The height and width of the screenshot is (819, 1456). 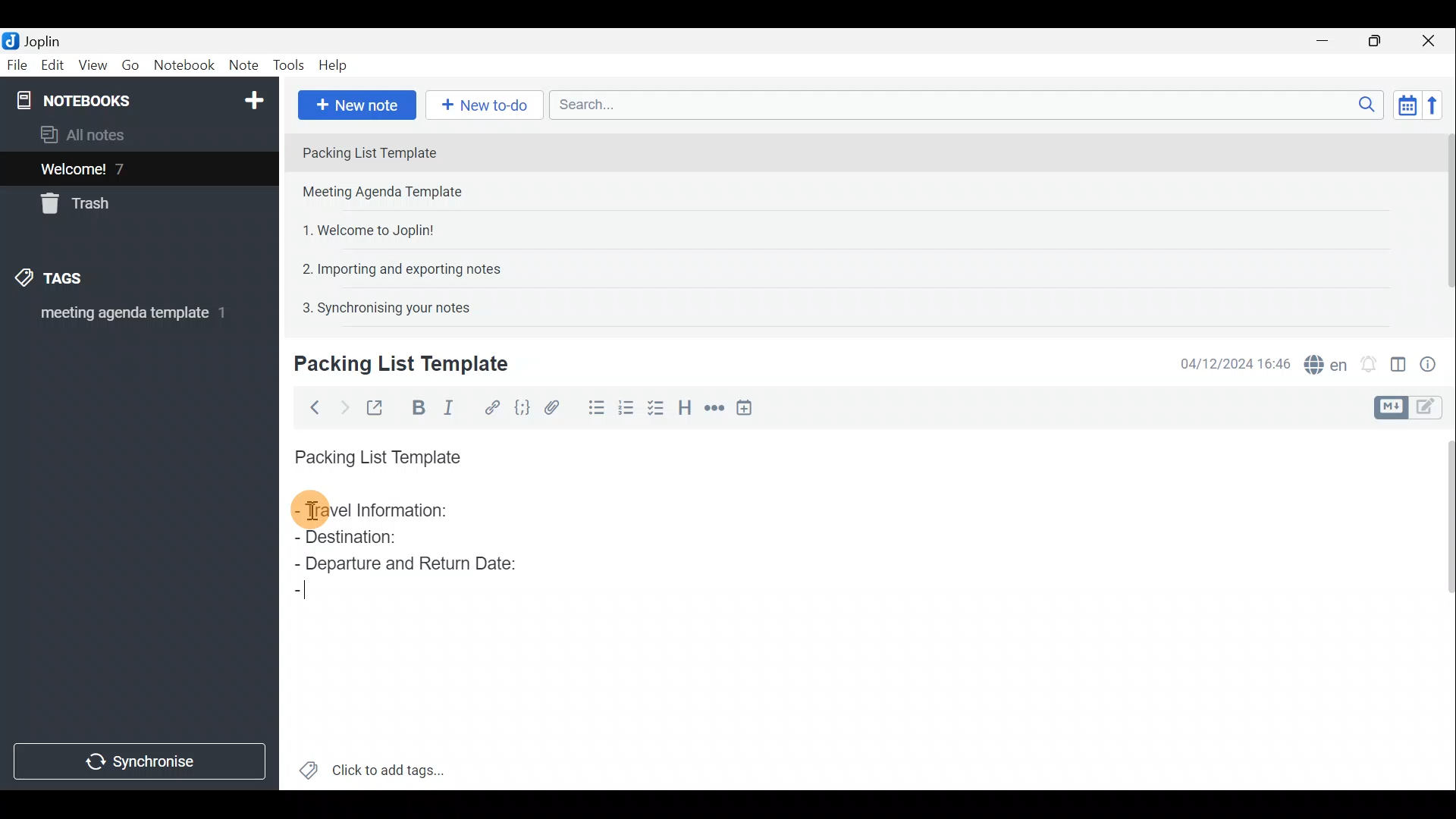 I want to click on Go, so click(x=131, y=65).